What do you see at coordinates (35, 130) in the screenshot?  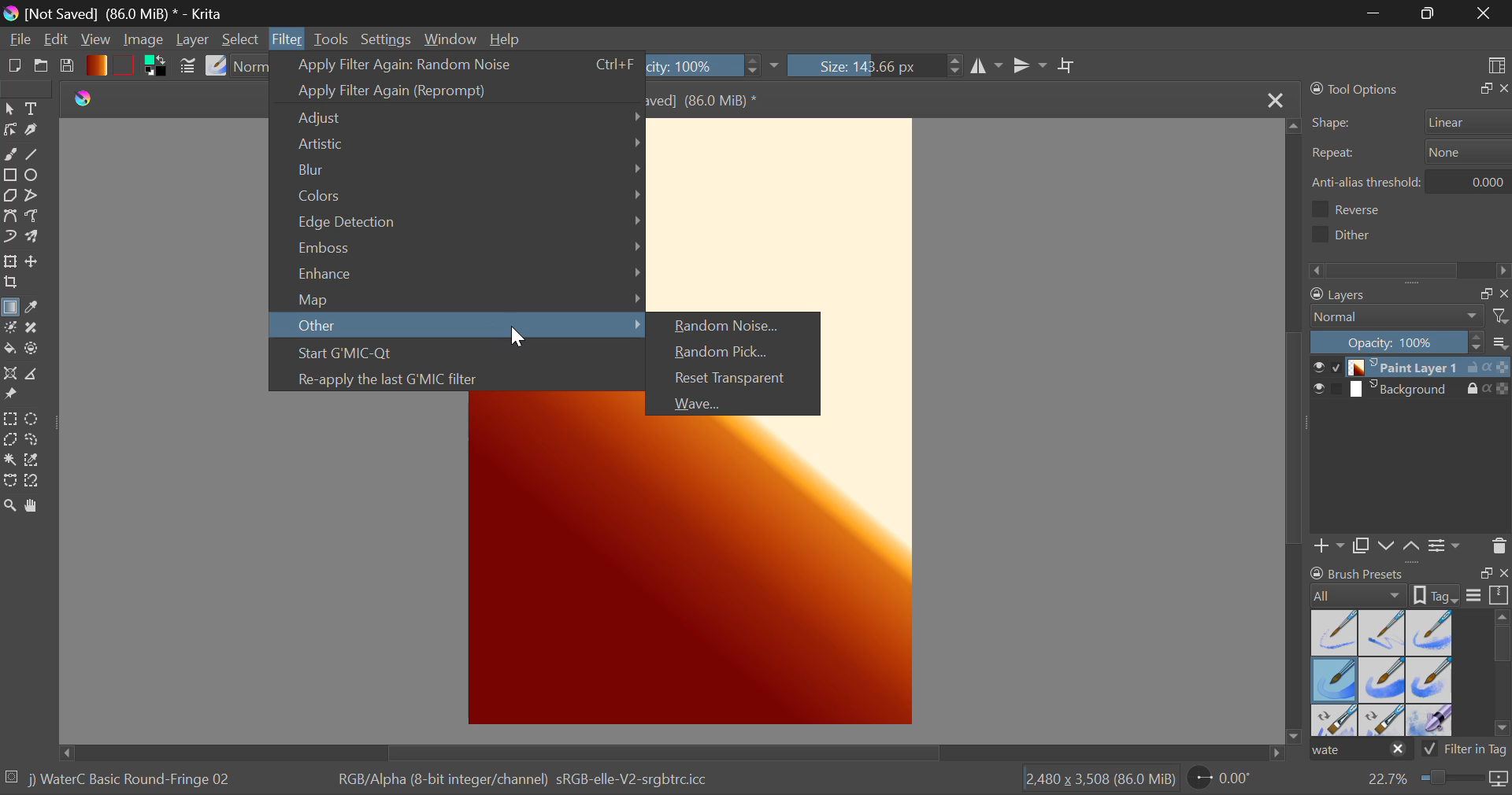 I see `Calligraphic Tool` at bounding box center [35, 130].